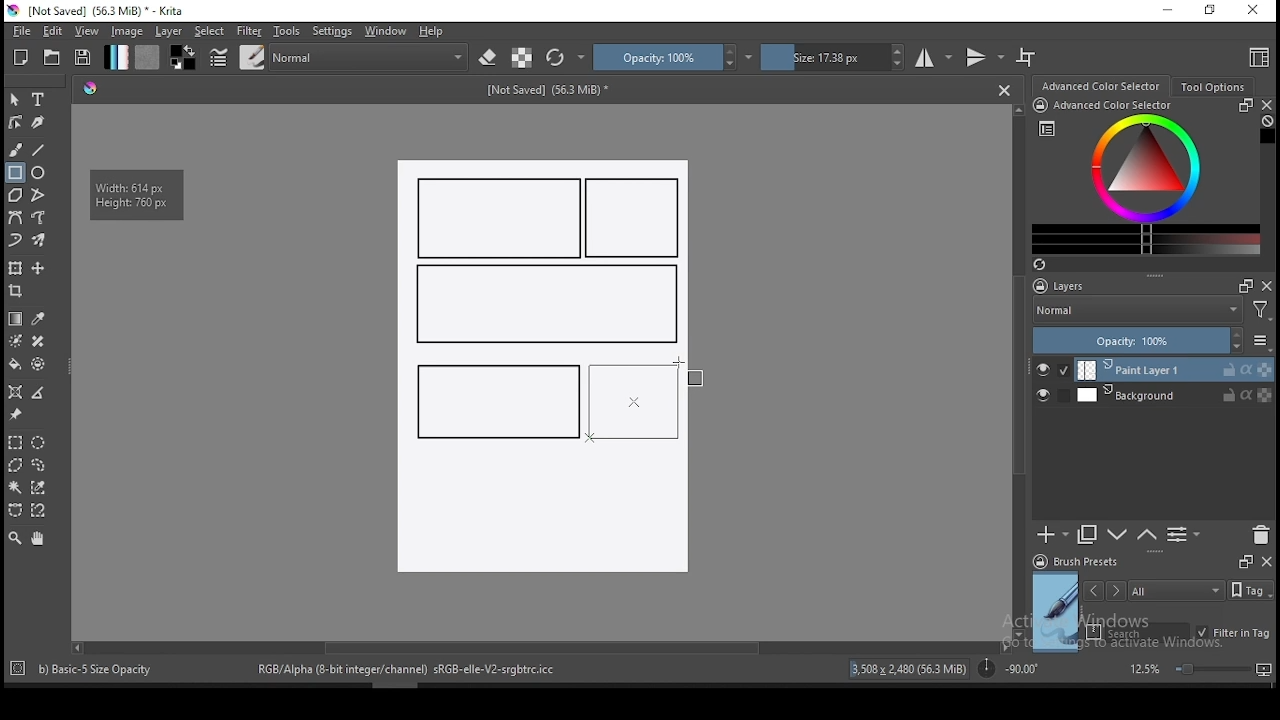 The height and width of the screenshot is (720, 1280). What do you see at coordinates (14, 219) in the screenshot?
I see `bezier curve tool` at bounding box center [14, 219].